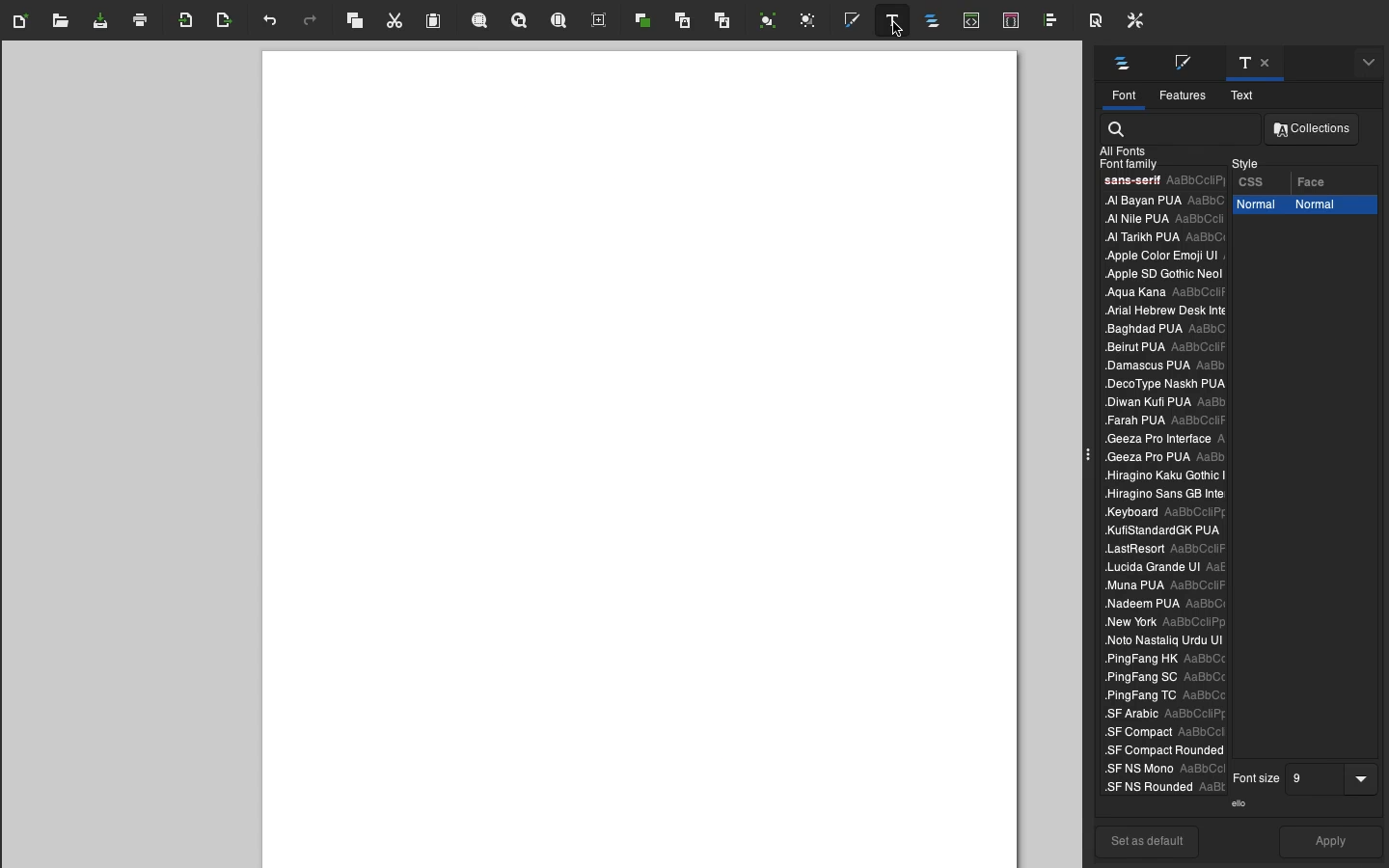 The image size is (1389, 868). Describe the element at coordinates (1167, 548) in the screenshot. I see `.LastResort` at that location.